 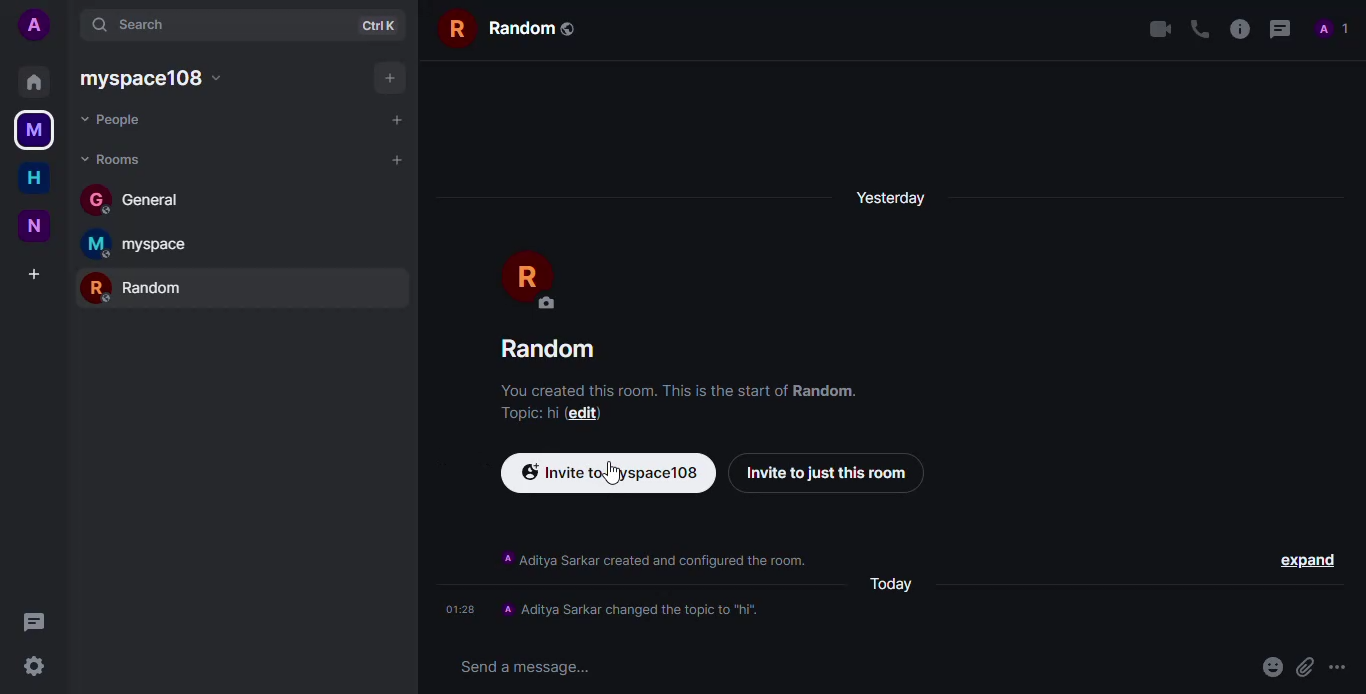 I want to click on random, so click(x=140, y=287).